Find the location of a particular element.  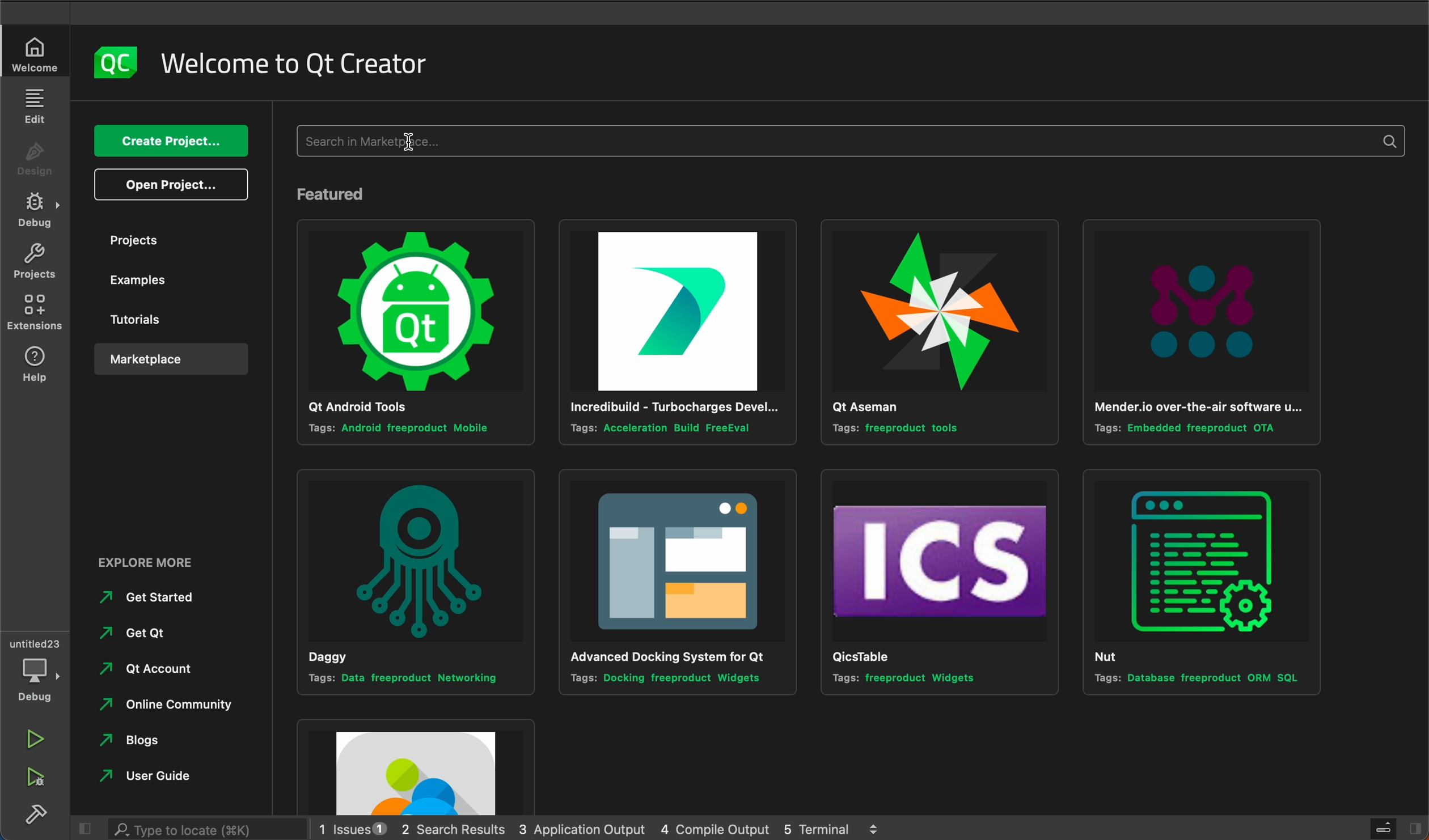

 is located at coordinates (671, 332).